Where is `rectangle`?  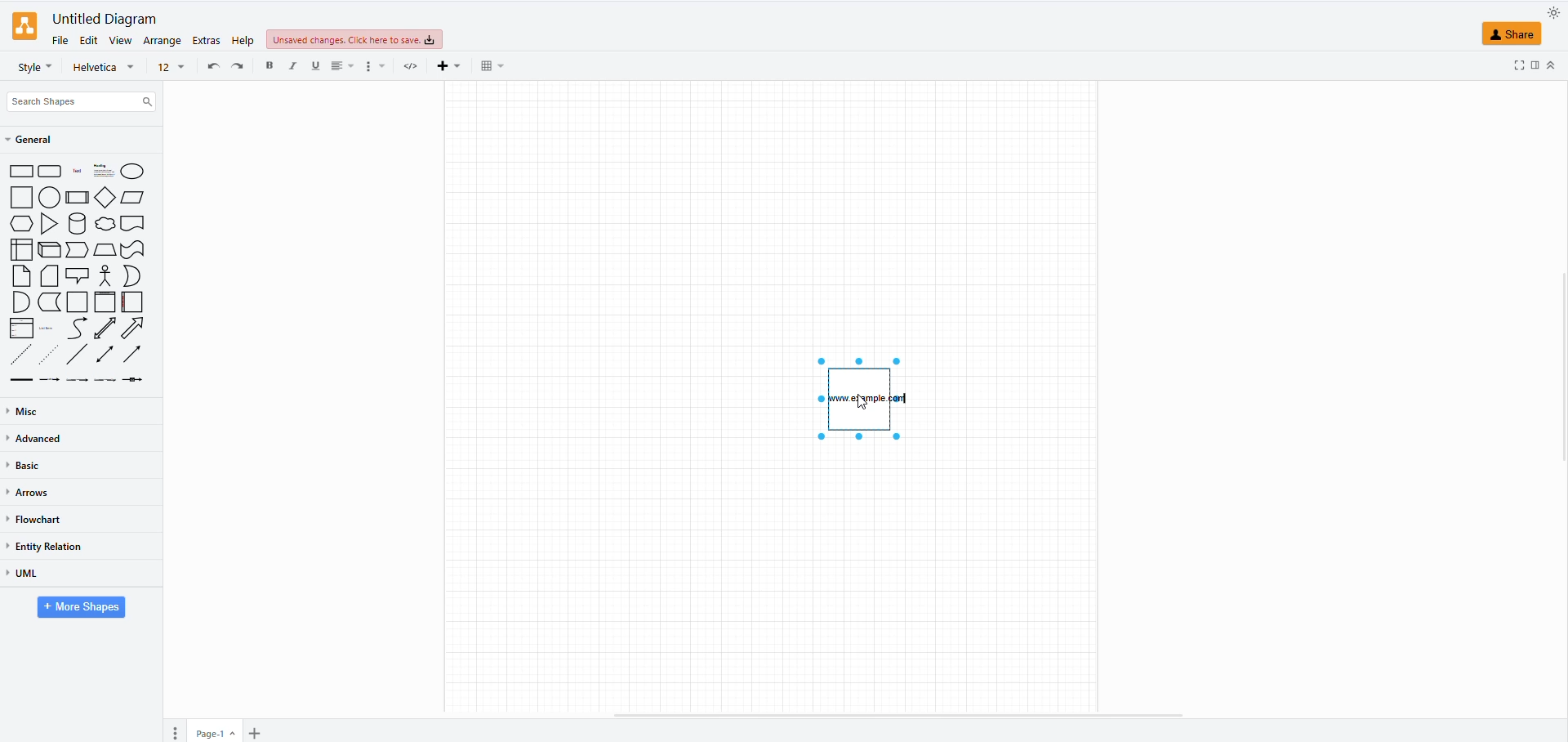
rectangle is located at coordinates (21, 172).